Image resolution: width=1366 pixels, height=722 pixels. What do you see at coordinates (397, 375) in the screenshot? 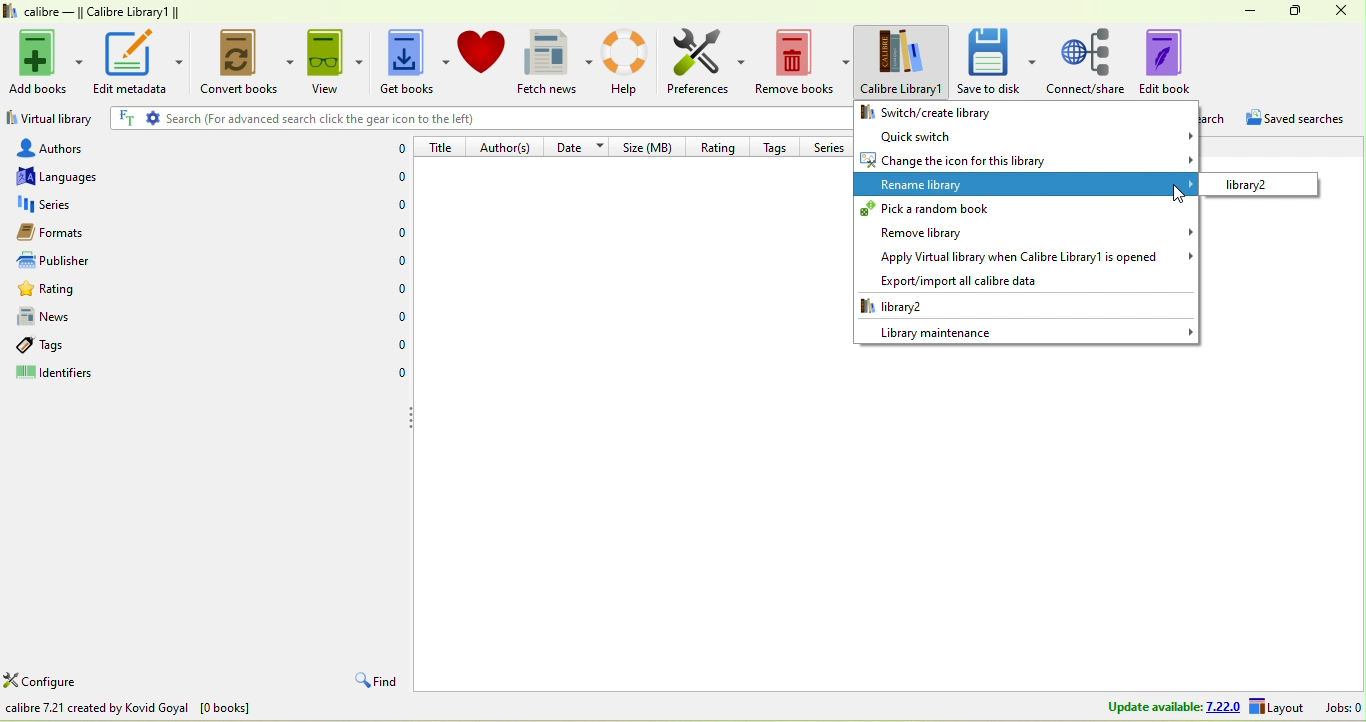
I see `0` at bounding box center [397, 375].